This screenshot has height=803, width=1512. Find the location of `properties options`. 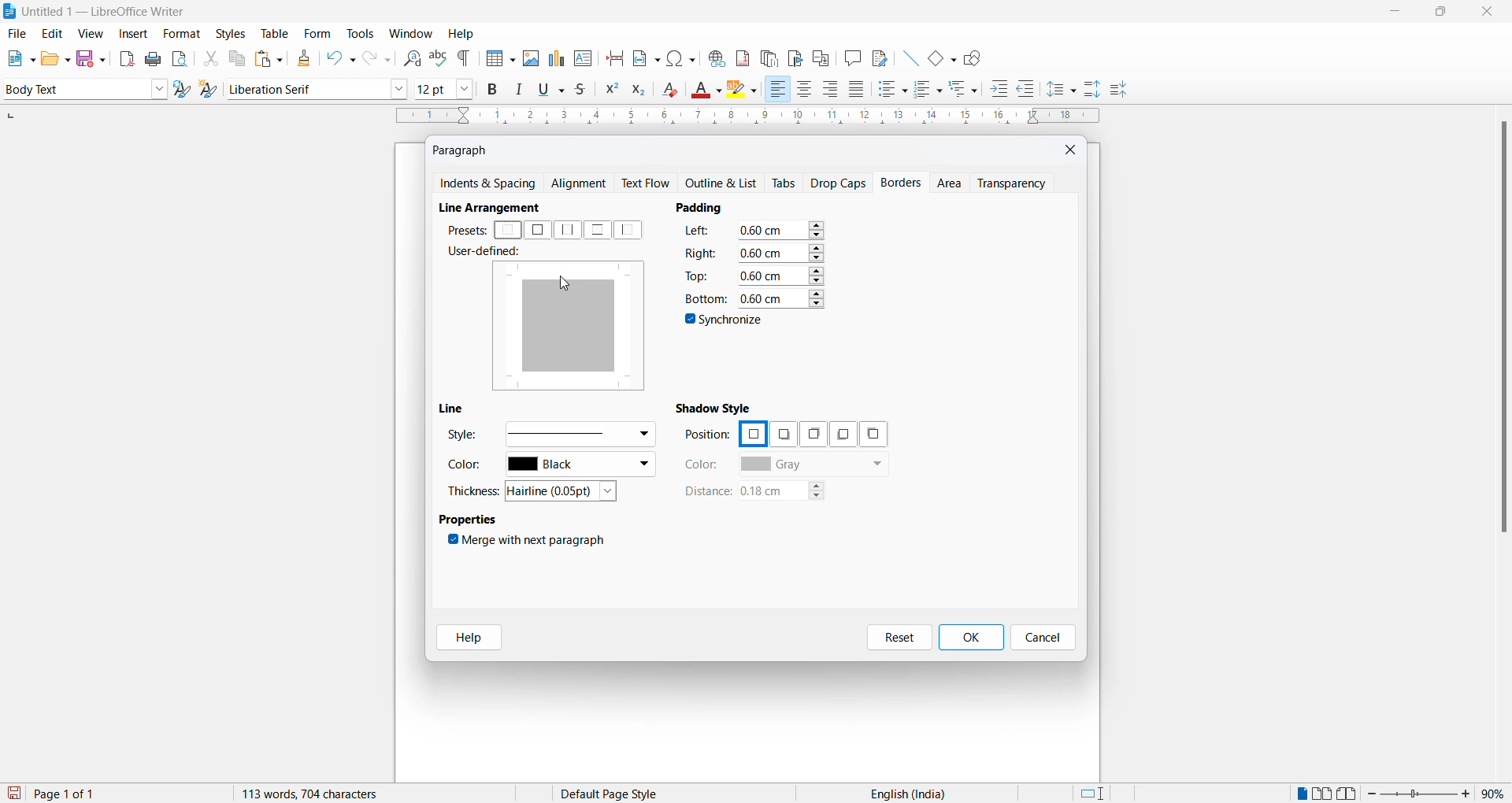

properties options is located at coordinates (469, 521).